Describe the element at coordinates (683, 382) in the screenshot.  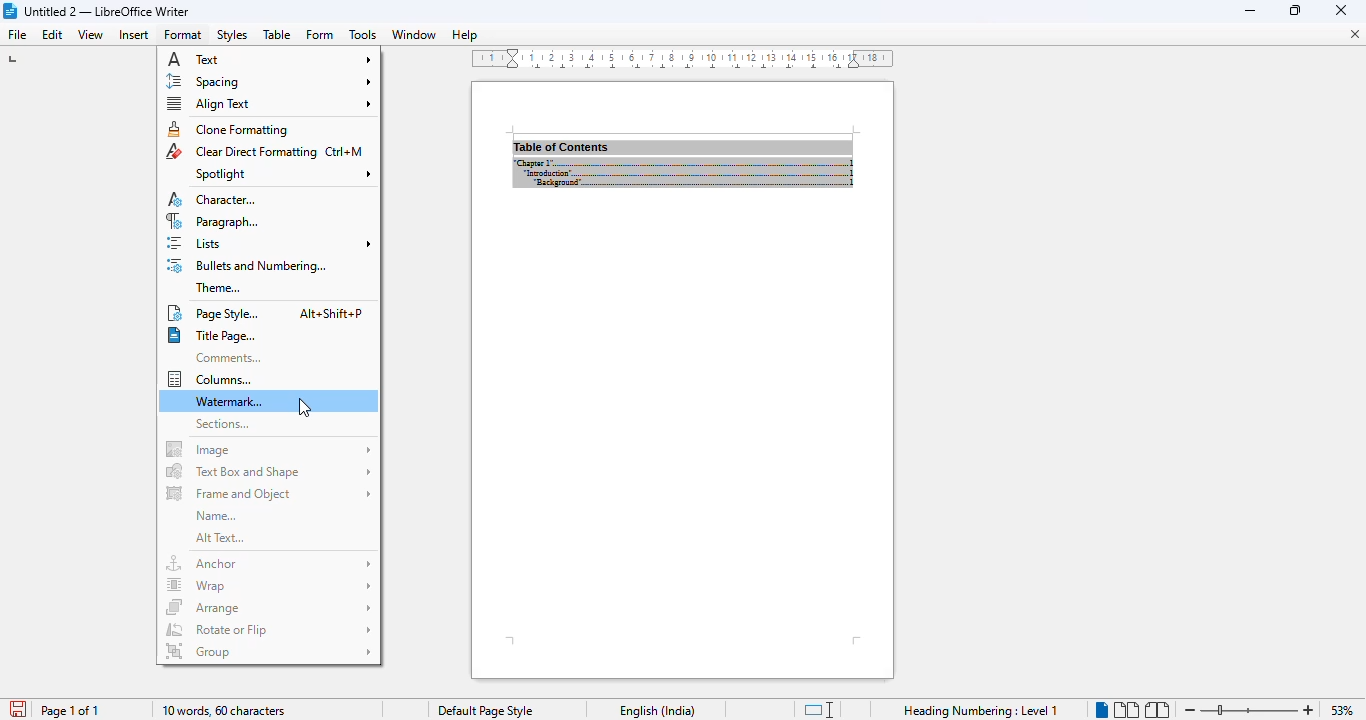
I see `document` at that location.